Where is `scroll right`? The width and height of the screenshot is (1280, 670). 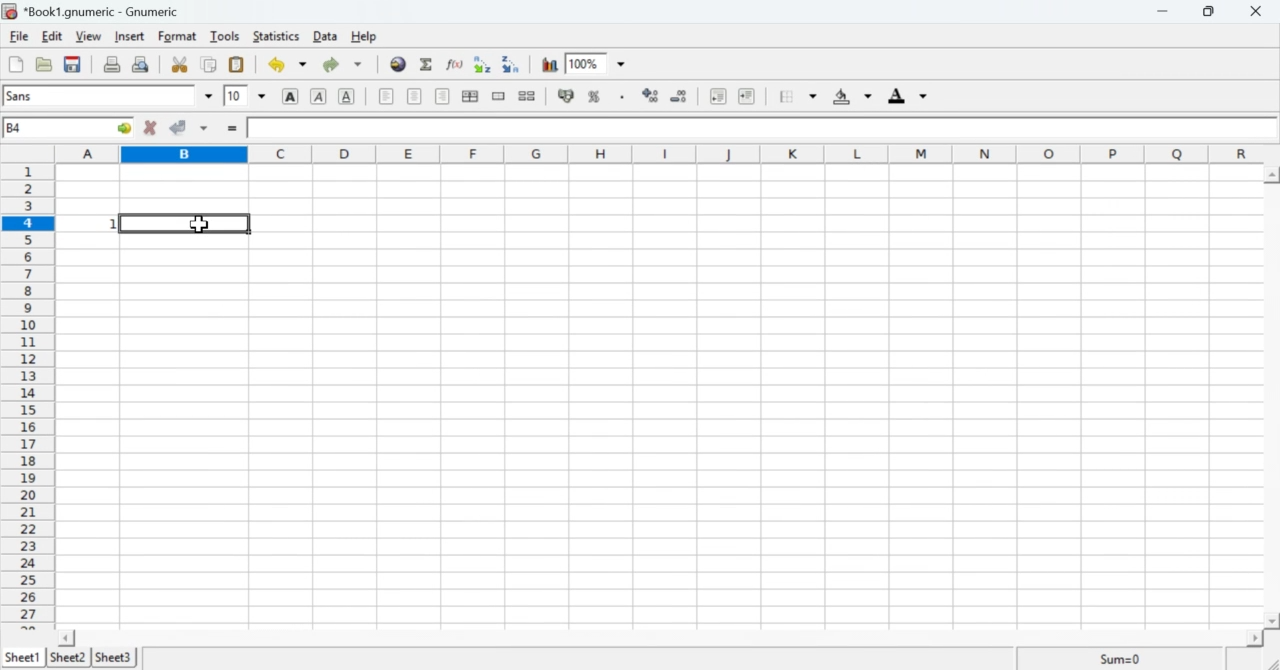
scroll right is located at coordinates (1255, 638).